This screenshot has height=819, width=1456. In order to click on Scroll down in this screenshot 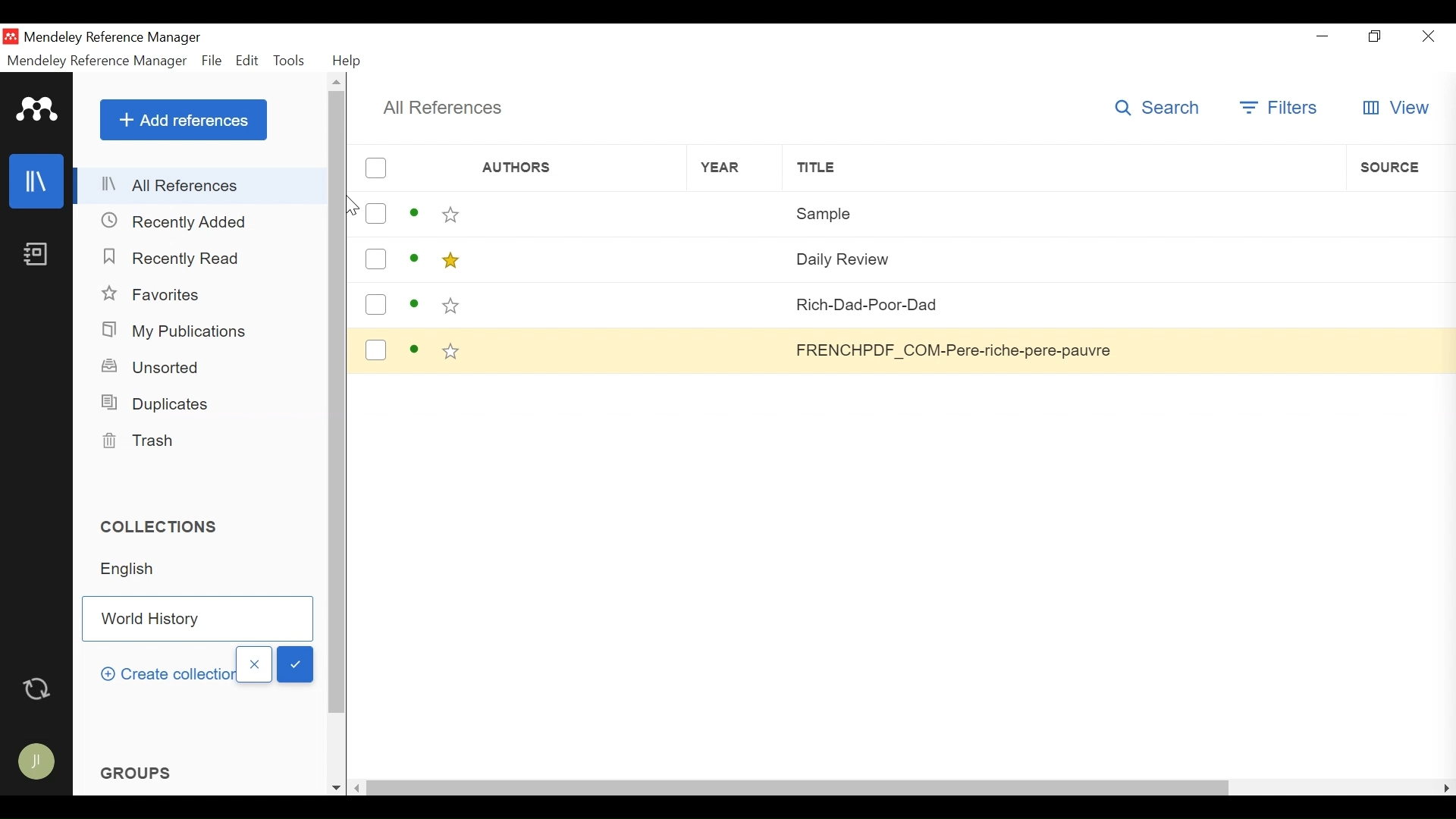, I will do `click(336, 788)`.